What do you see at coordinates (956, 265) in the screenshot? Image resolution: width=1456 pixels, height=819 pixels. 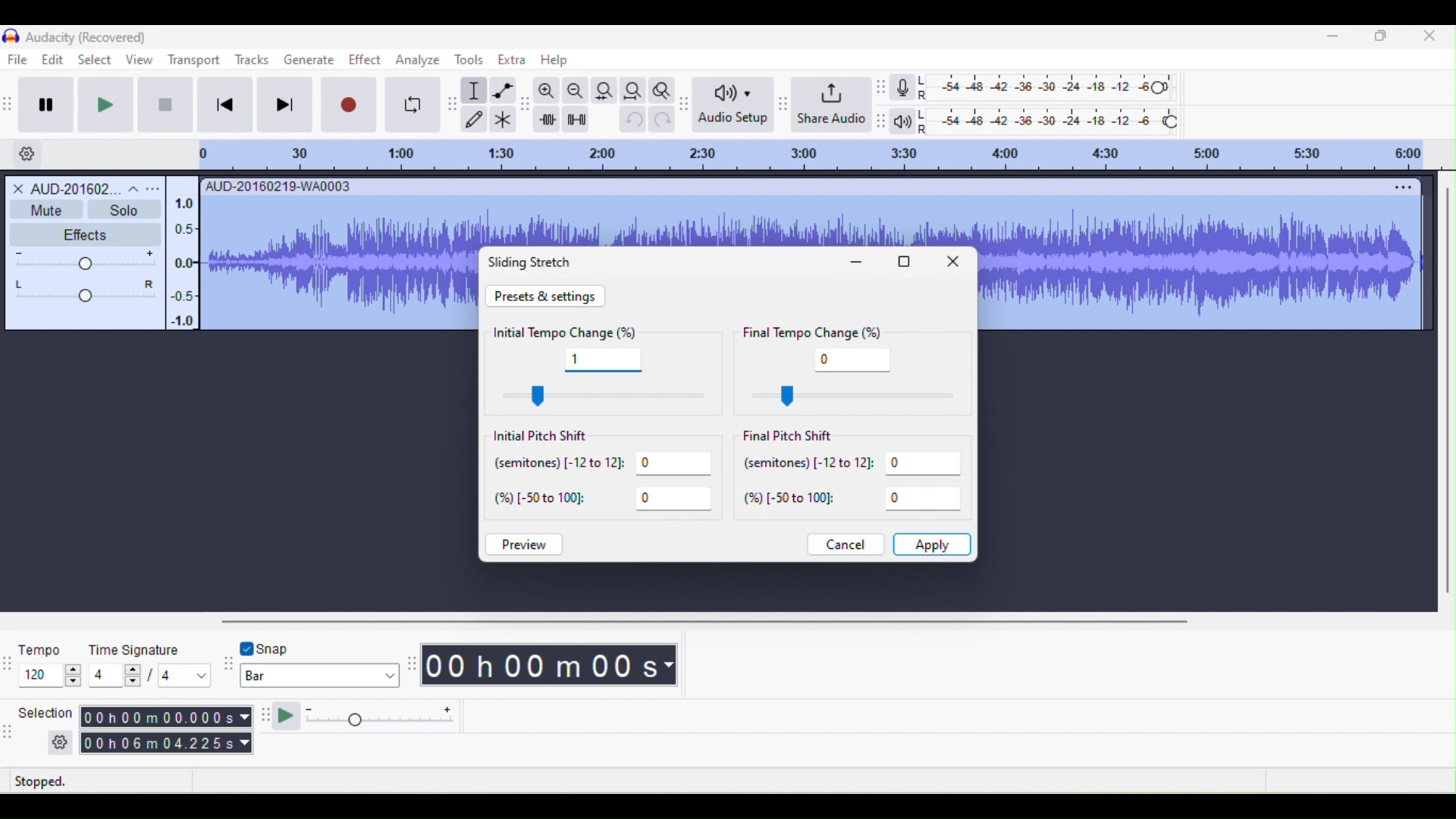 I see `close` at bounding box center [956, 265].